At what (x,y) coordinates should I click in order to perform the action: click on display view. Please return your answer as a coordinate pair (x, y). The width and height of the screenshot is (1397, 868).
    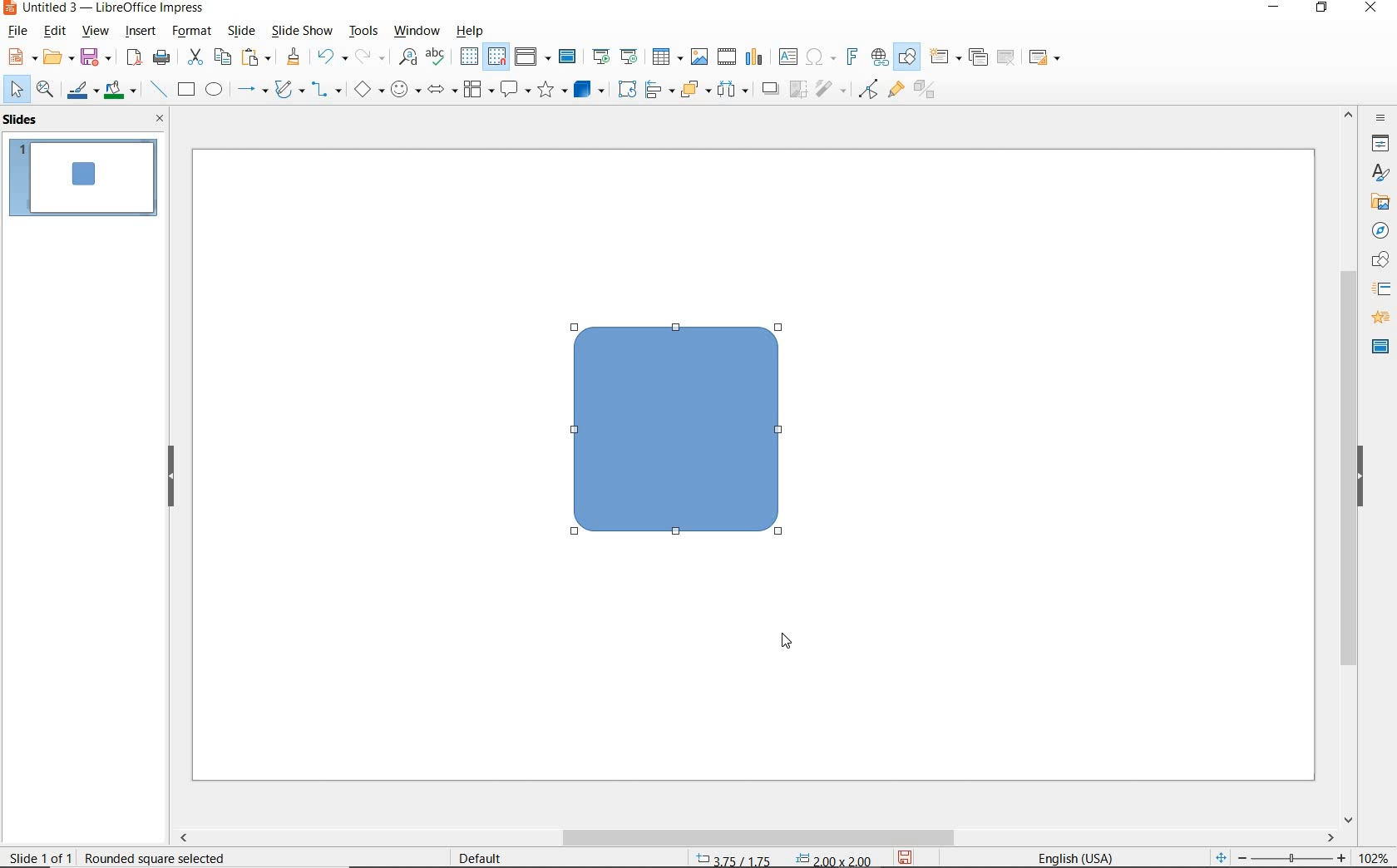
    Looking at the image, I should click on (533, 57).